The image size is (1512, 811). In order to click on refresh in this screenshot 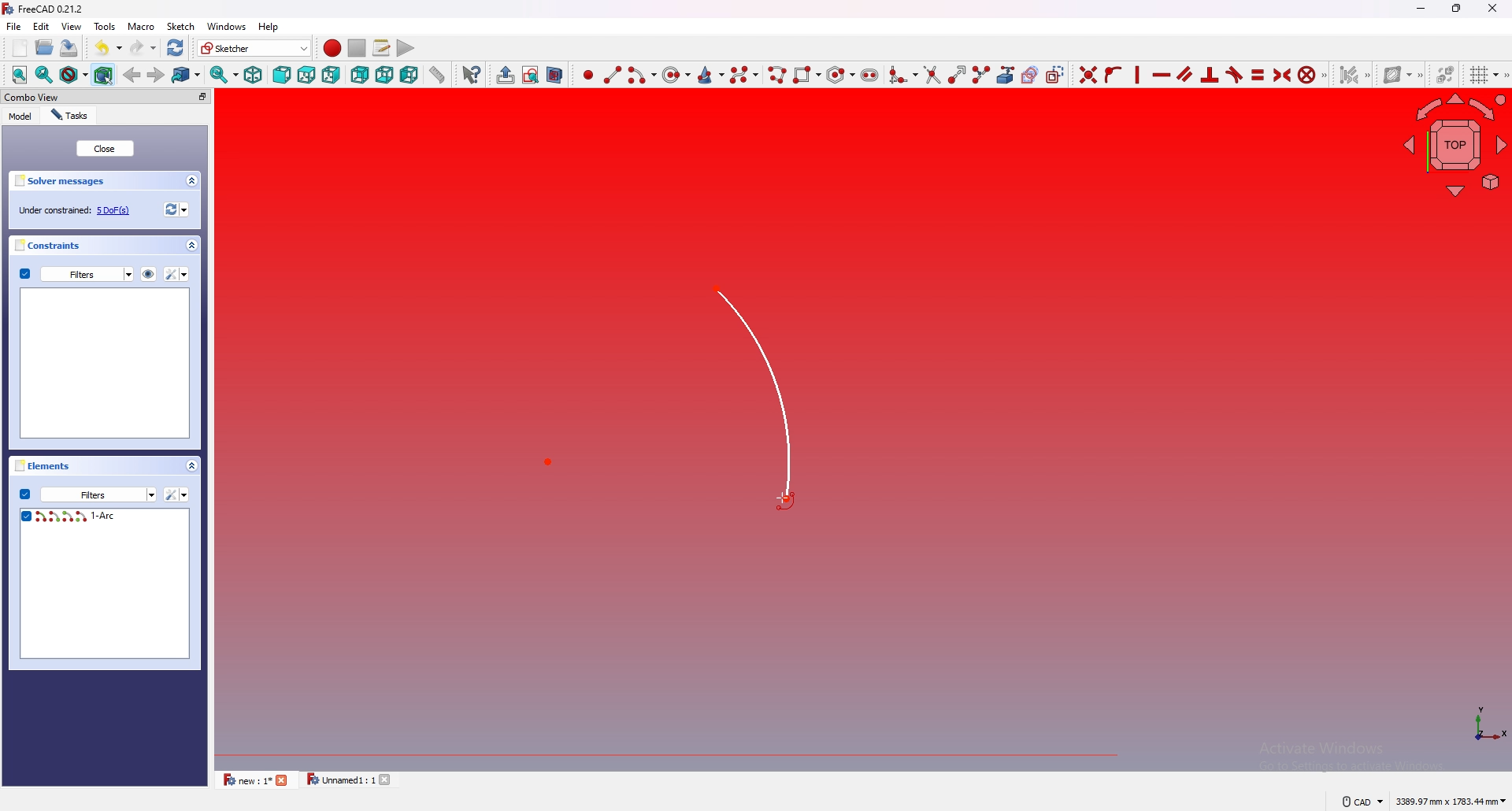, I will do `click(176, 48)`.